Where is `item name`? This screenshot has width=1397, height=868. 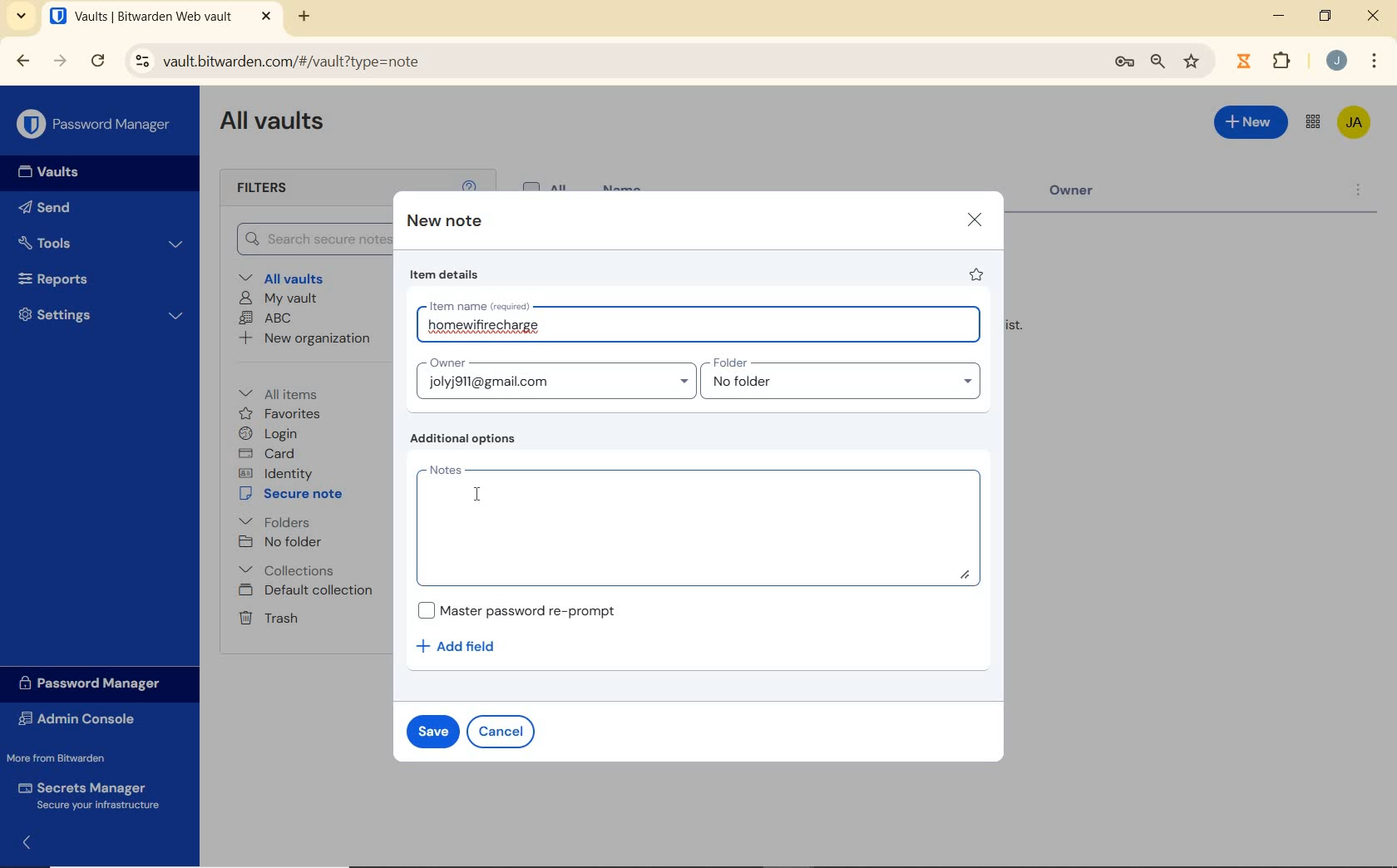
item name is located at coordinates (703, 324).